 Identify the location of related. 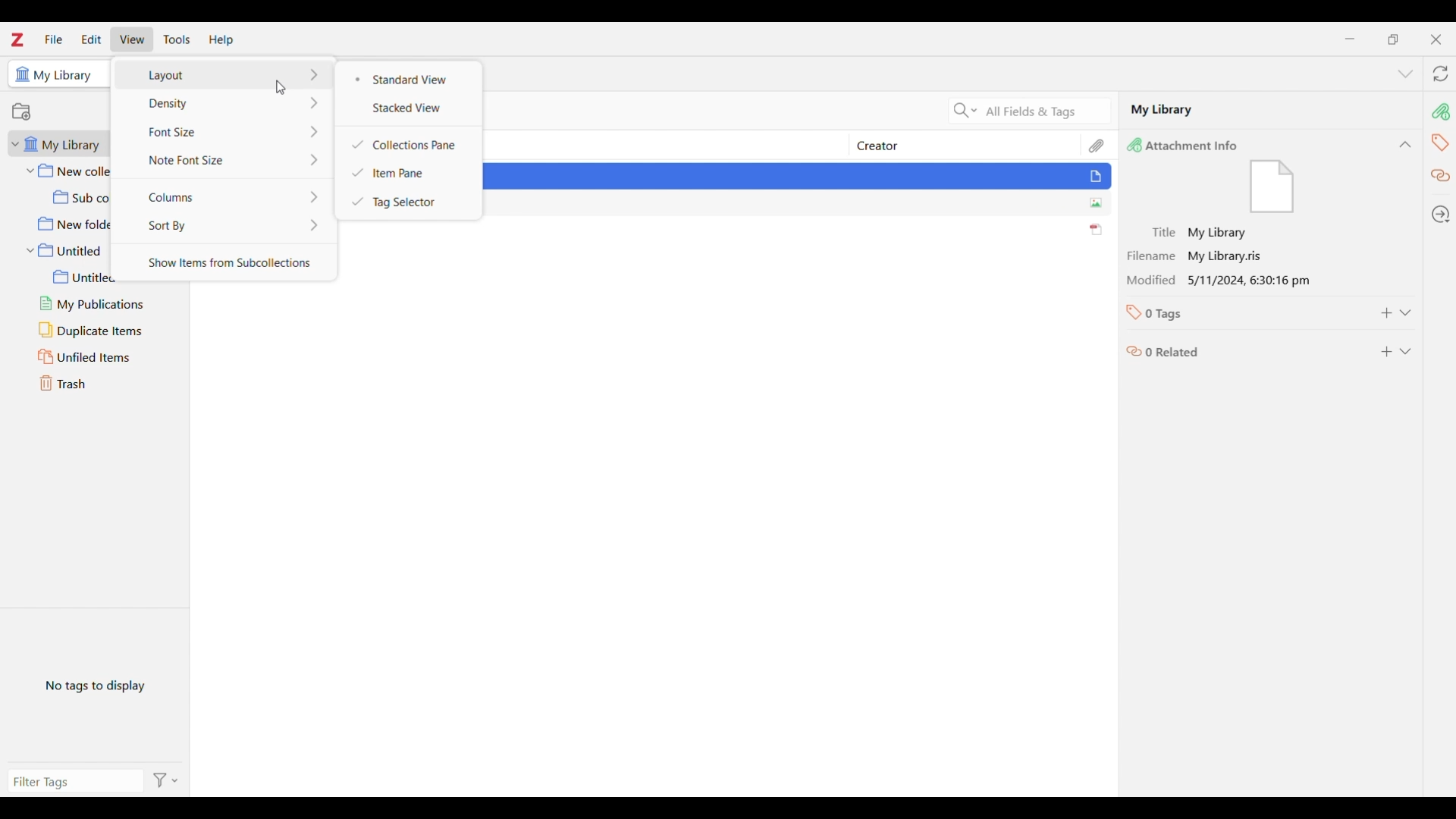
(1439, 177).